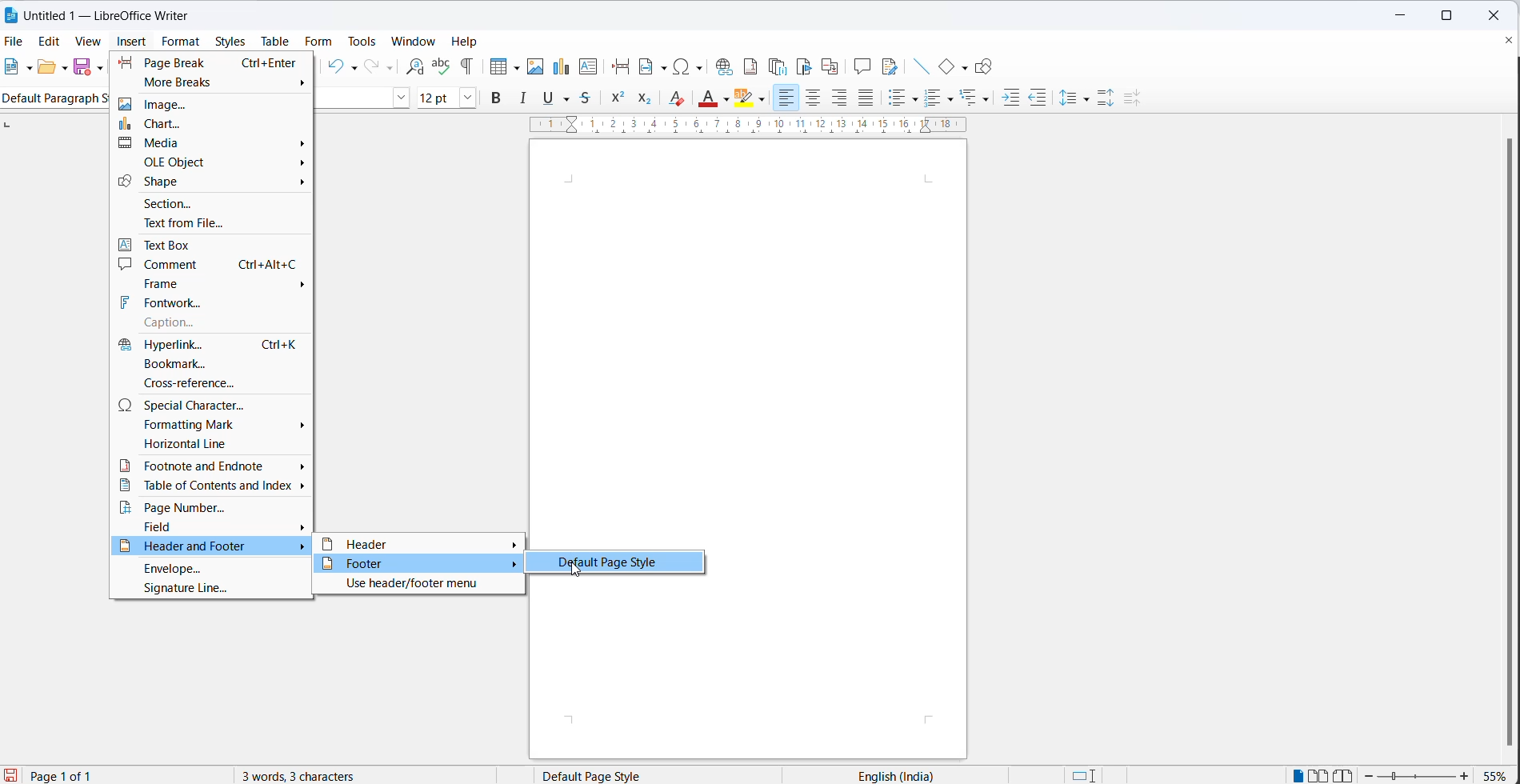 The height and width of the screenshot is (784, 1520). What do you see at coordinates (918, 64) in the screenshot?
I see `insert line` at bounding box center [918, 64].